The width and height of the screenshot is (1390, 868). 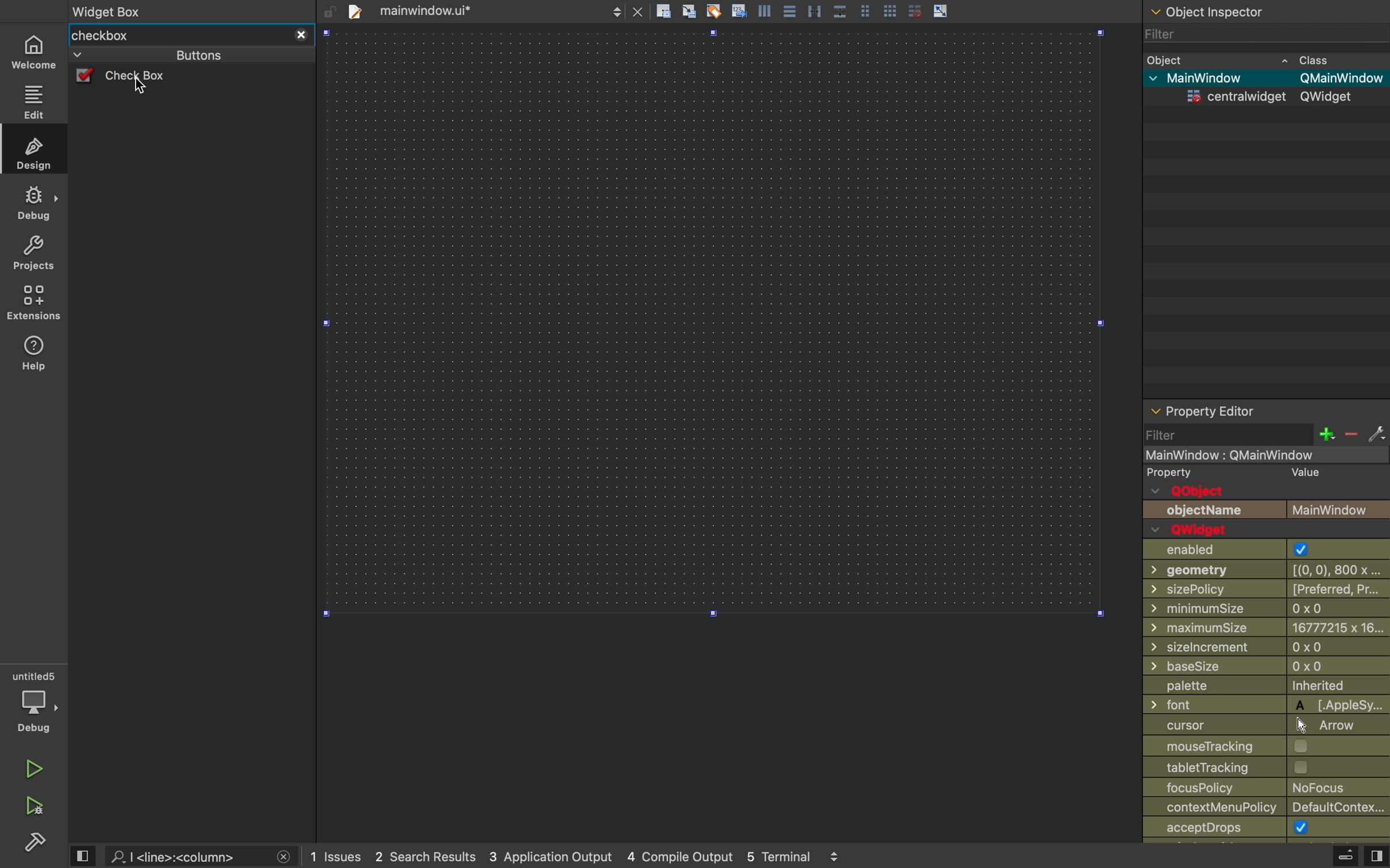 I want to click on home, so click(x=34, y=51).